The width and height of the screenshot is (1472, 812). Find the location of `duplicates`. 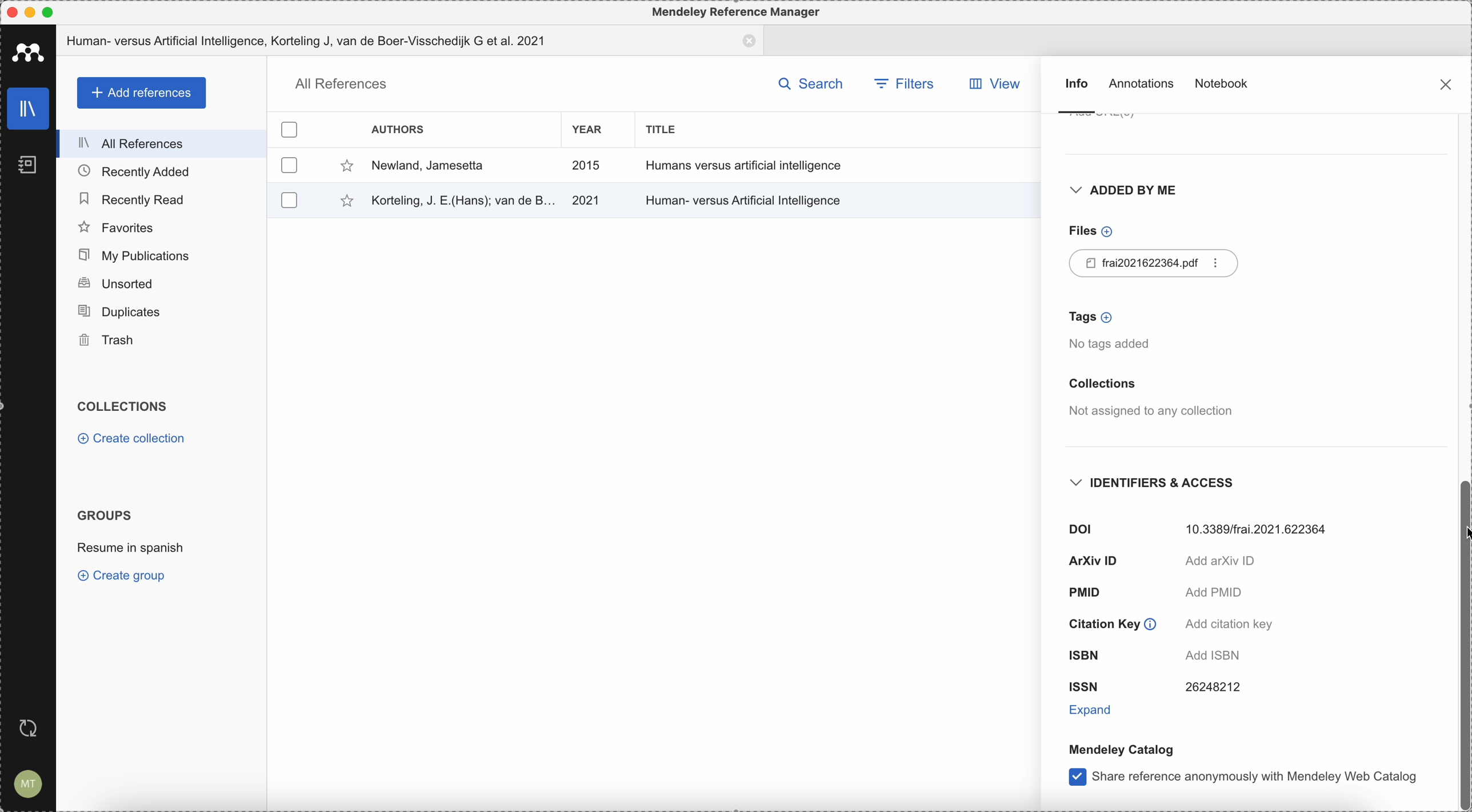

duplicates is located at coordinates (160, 313).